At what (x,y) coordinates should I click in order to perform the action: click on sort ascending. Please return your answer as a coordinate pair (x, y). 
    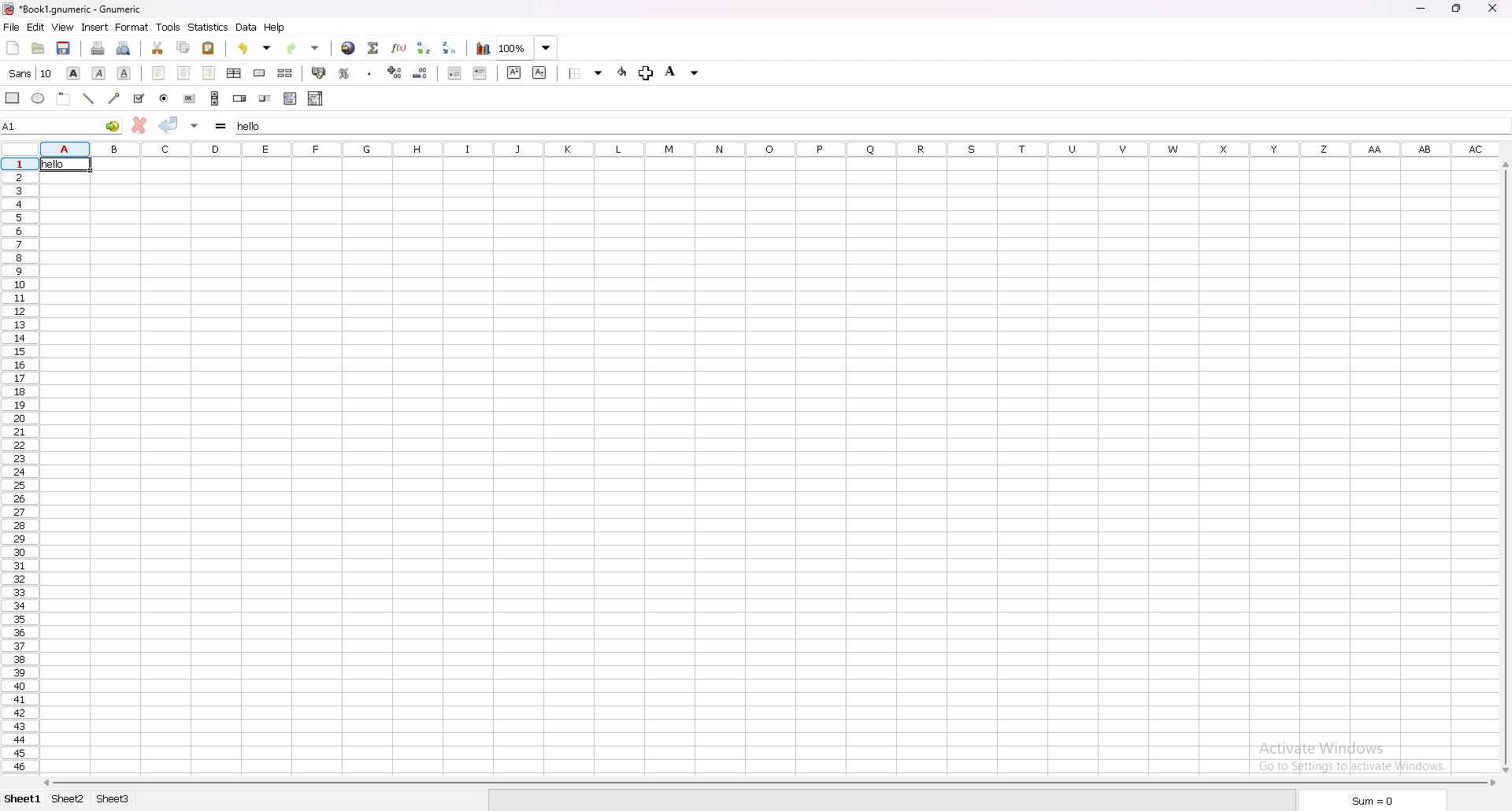
    Looking at the image, I should click on (425, 47).